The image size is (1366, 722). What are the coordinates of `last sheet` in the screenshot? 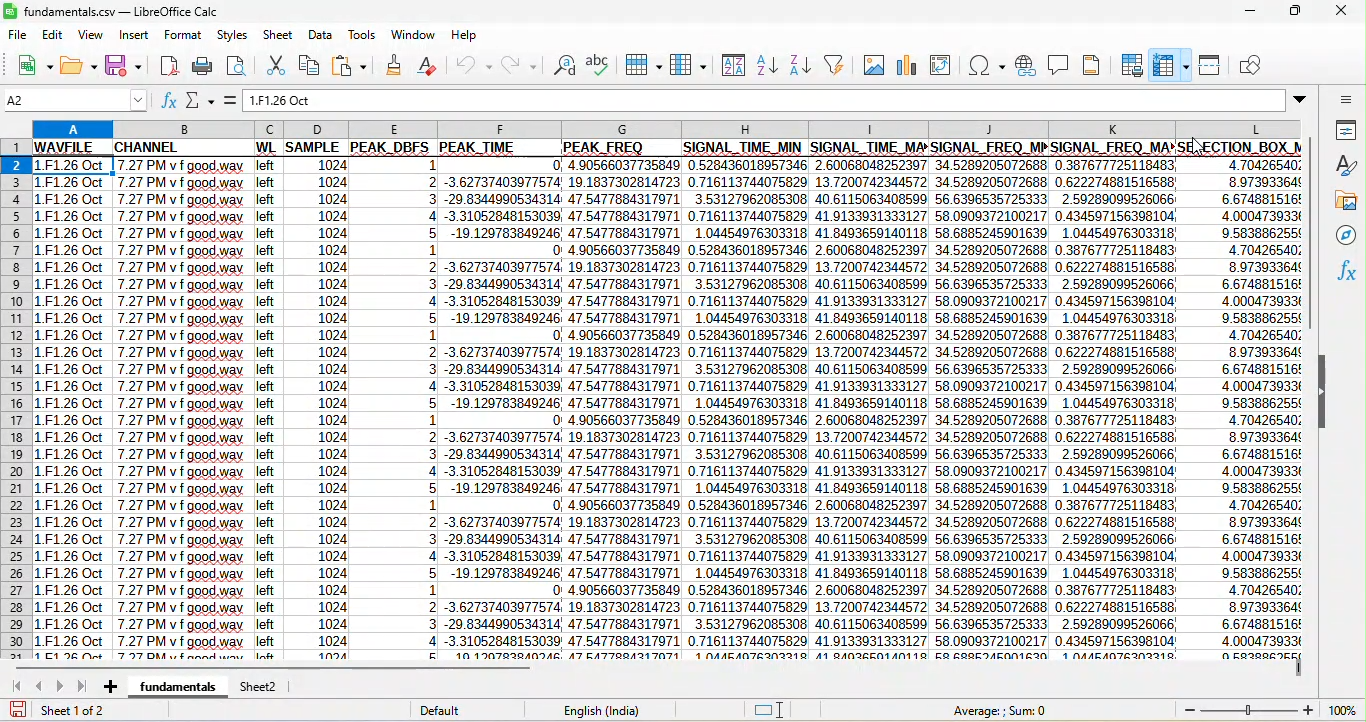 It's located at (82, 686).